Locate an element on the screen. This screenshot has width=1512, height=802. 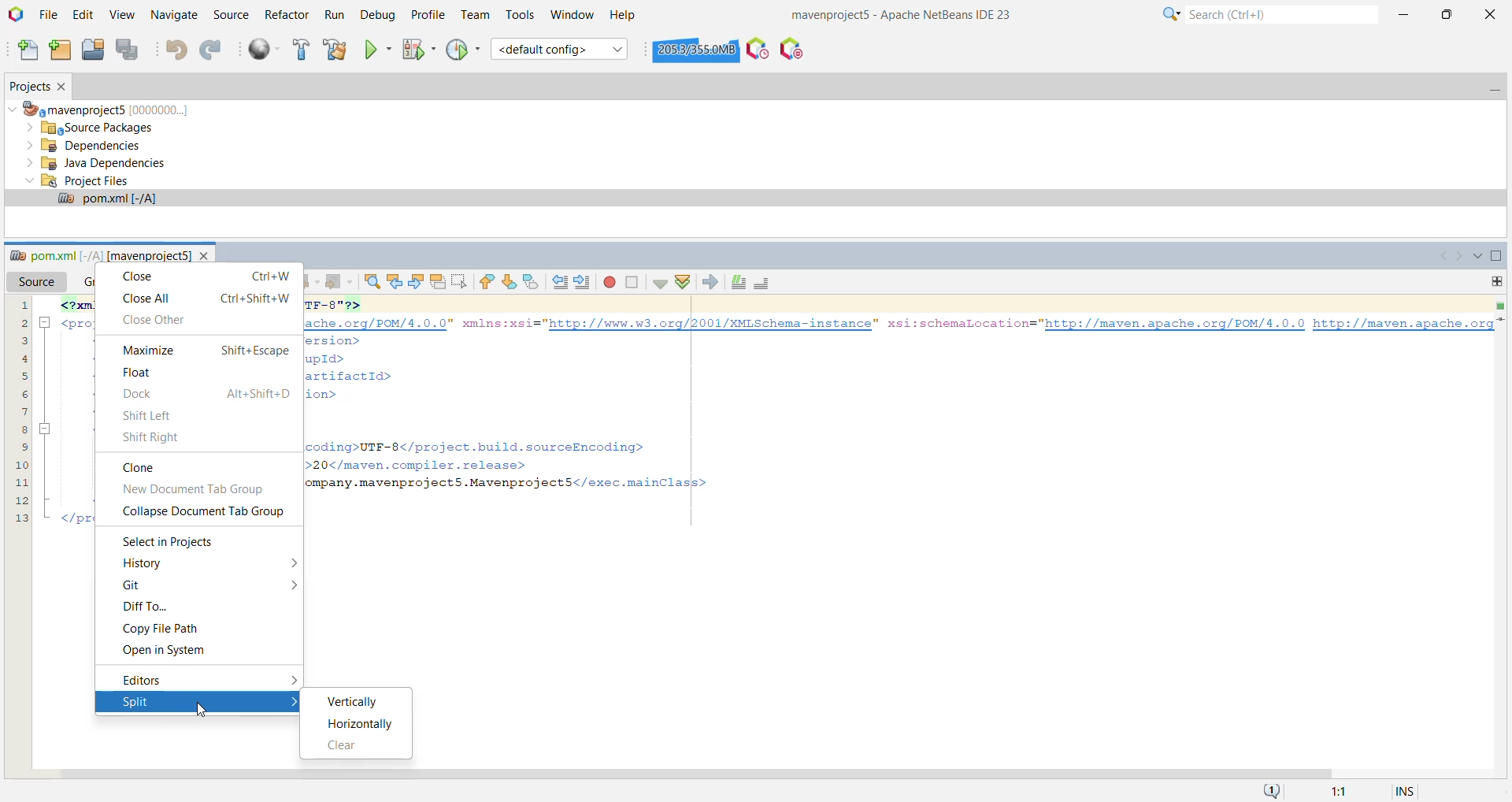
History is located at coordinates (150, 564).